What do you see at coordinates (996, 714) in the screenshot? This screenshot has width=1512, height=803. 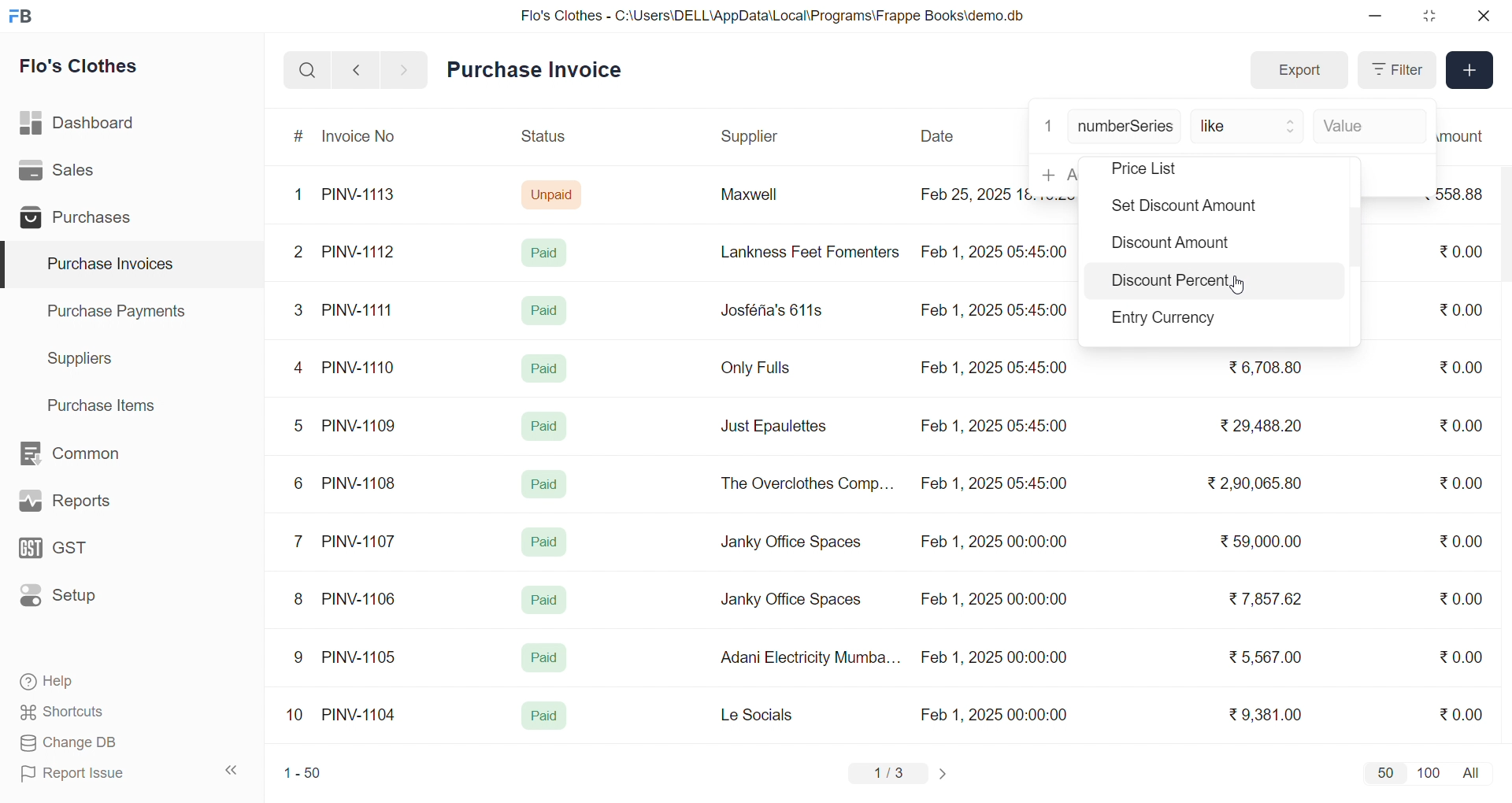 I see `Feb 1, 2025 00:00:00` at bounding box center [996, 714].